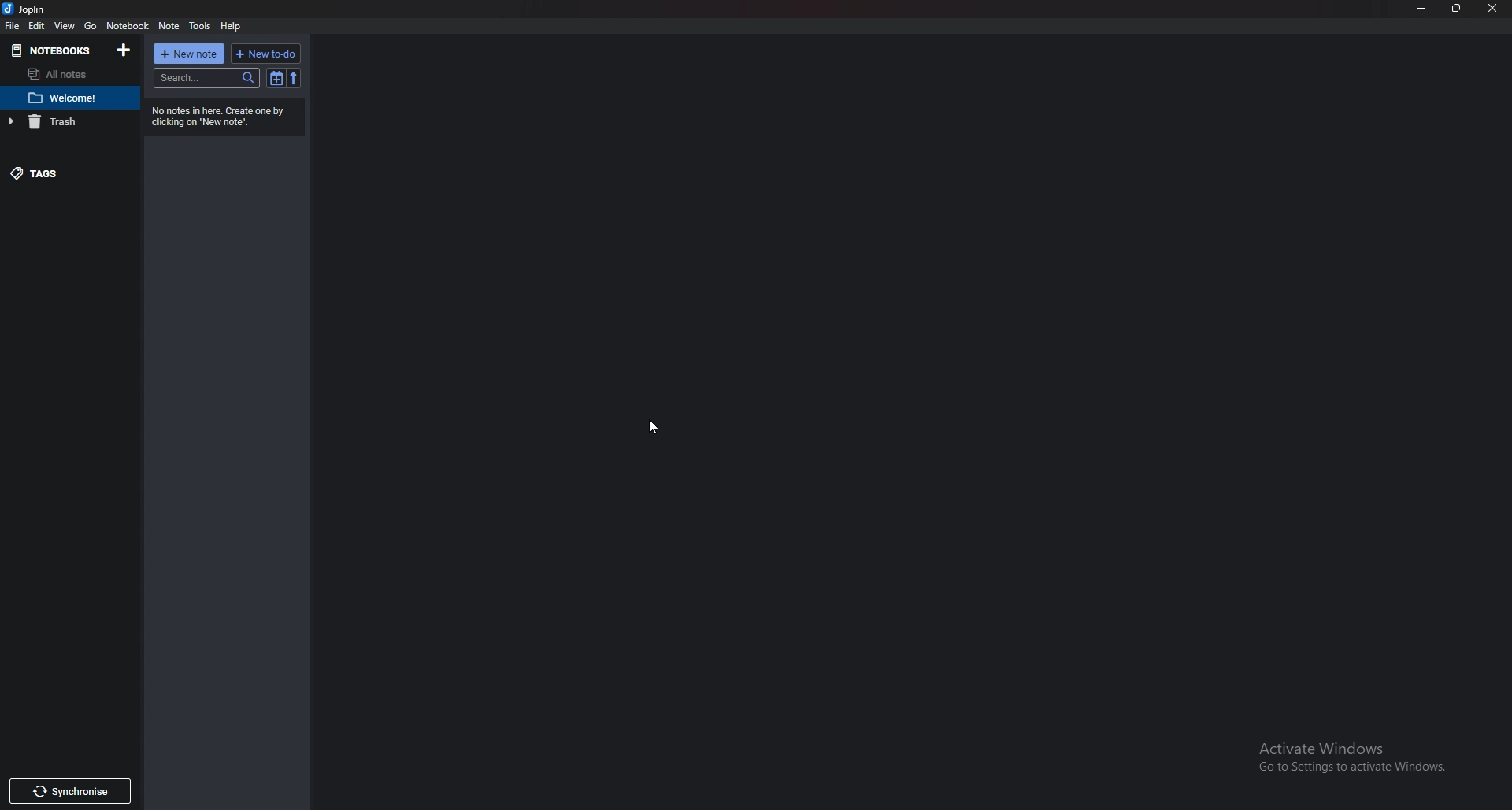  What do you see at coordinates (297, 77) in the screenshot?
I see `Reverse sort order` at bounding box center [297, 77].